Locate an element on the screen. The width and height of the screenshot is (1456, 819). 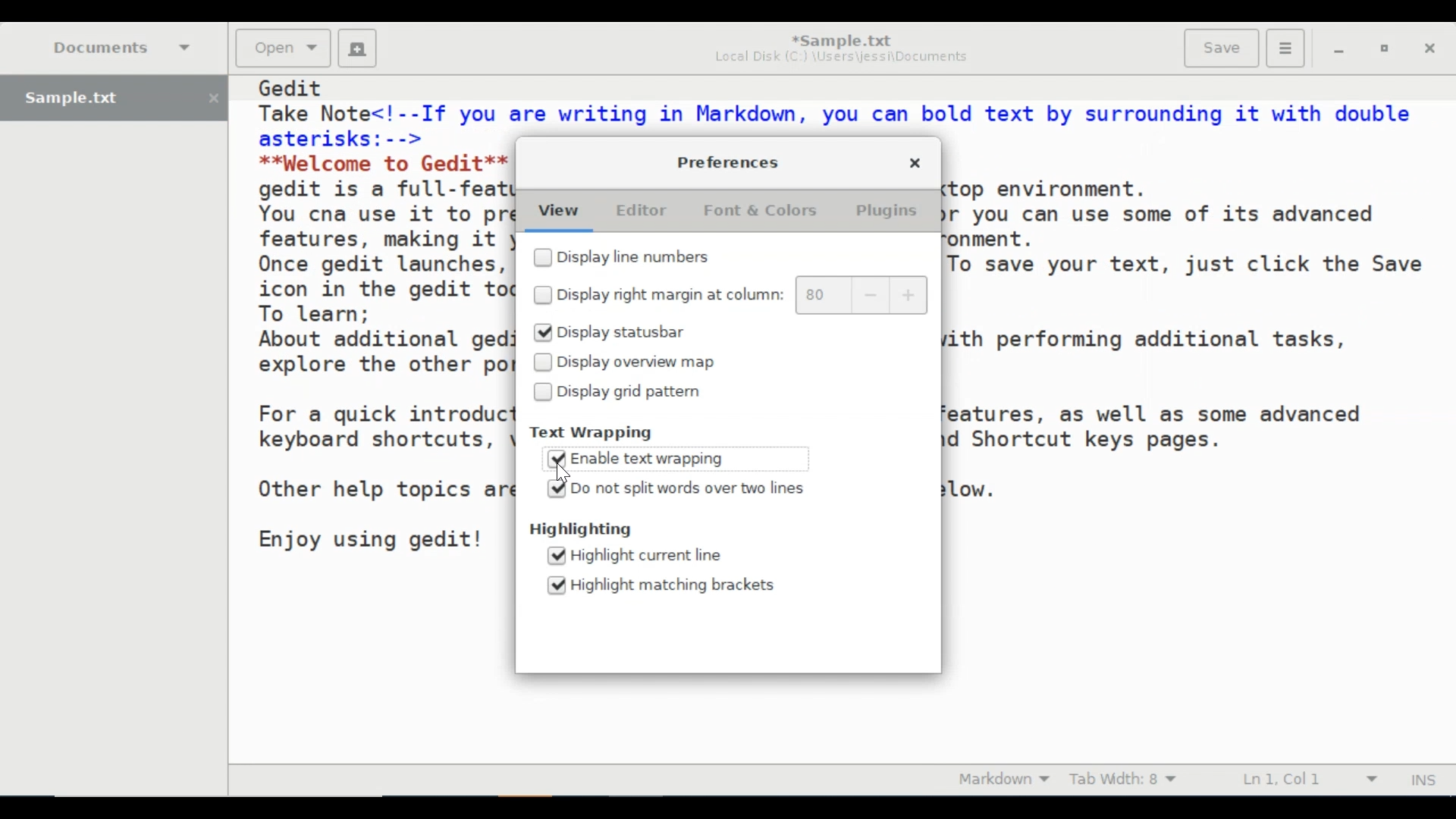
Cursor is located at coordinates (563, 471).